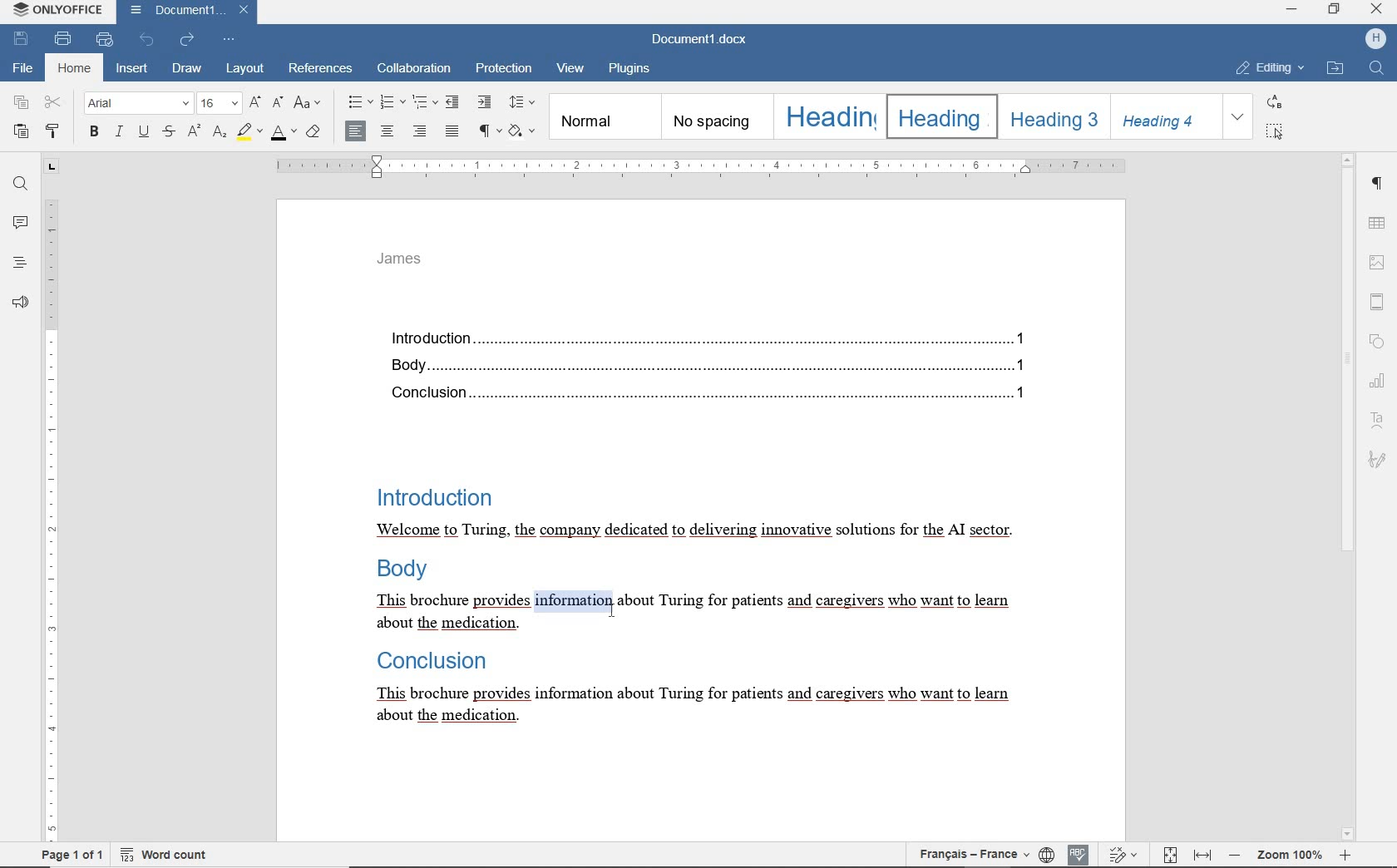 Image resolution: width=1397 pixels, height=868 pixels. Describe the element at coordinates (827, 116) in the screenshot. I see `HEADING 1` at that location.